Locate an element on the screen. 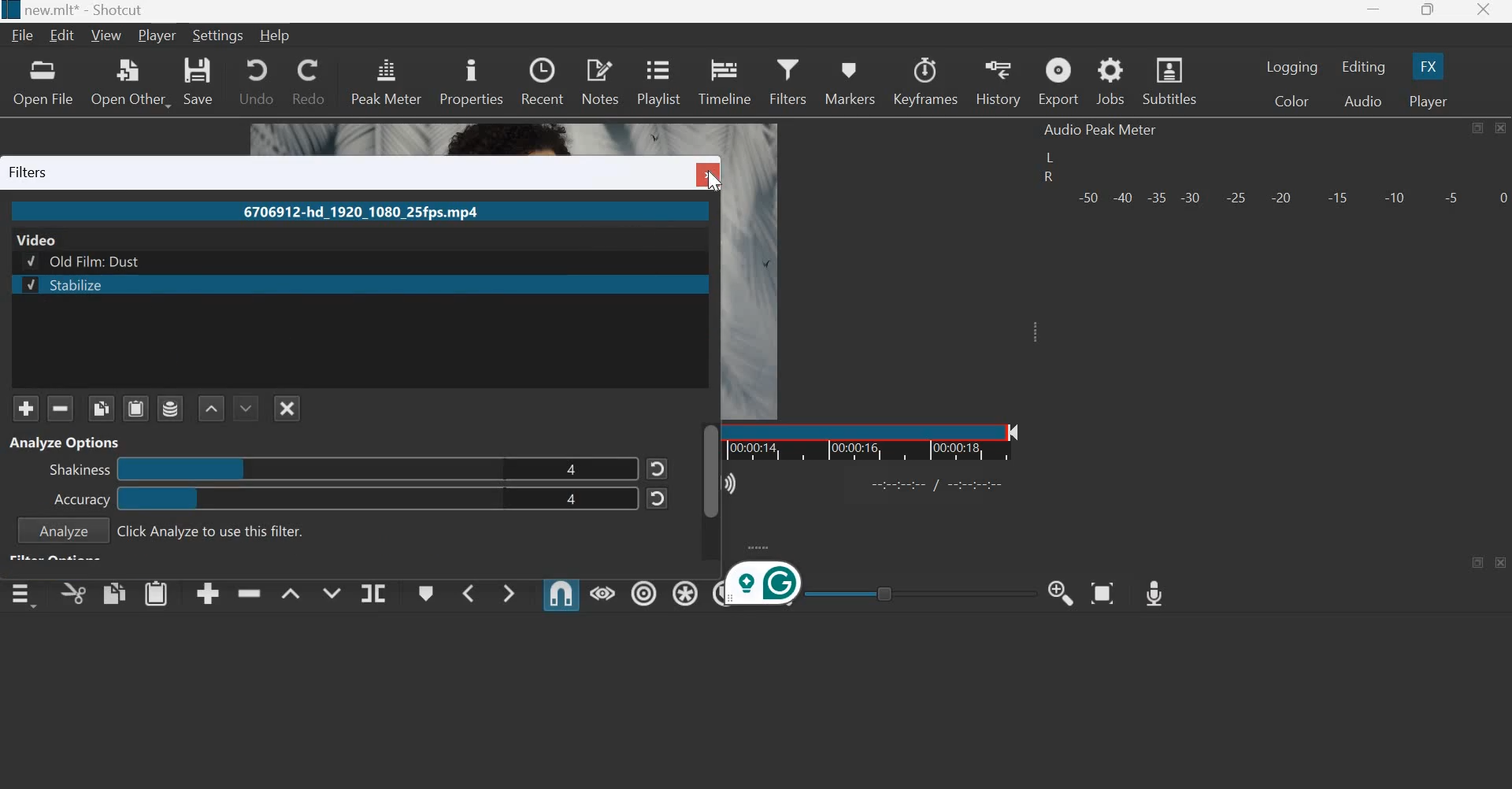 This screenshot has width=1512, height=789. Logging is located at coordinates (1292, 67).